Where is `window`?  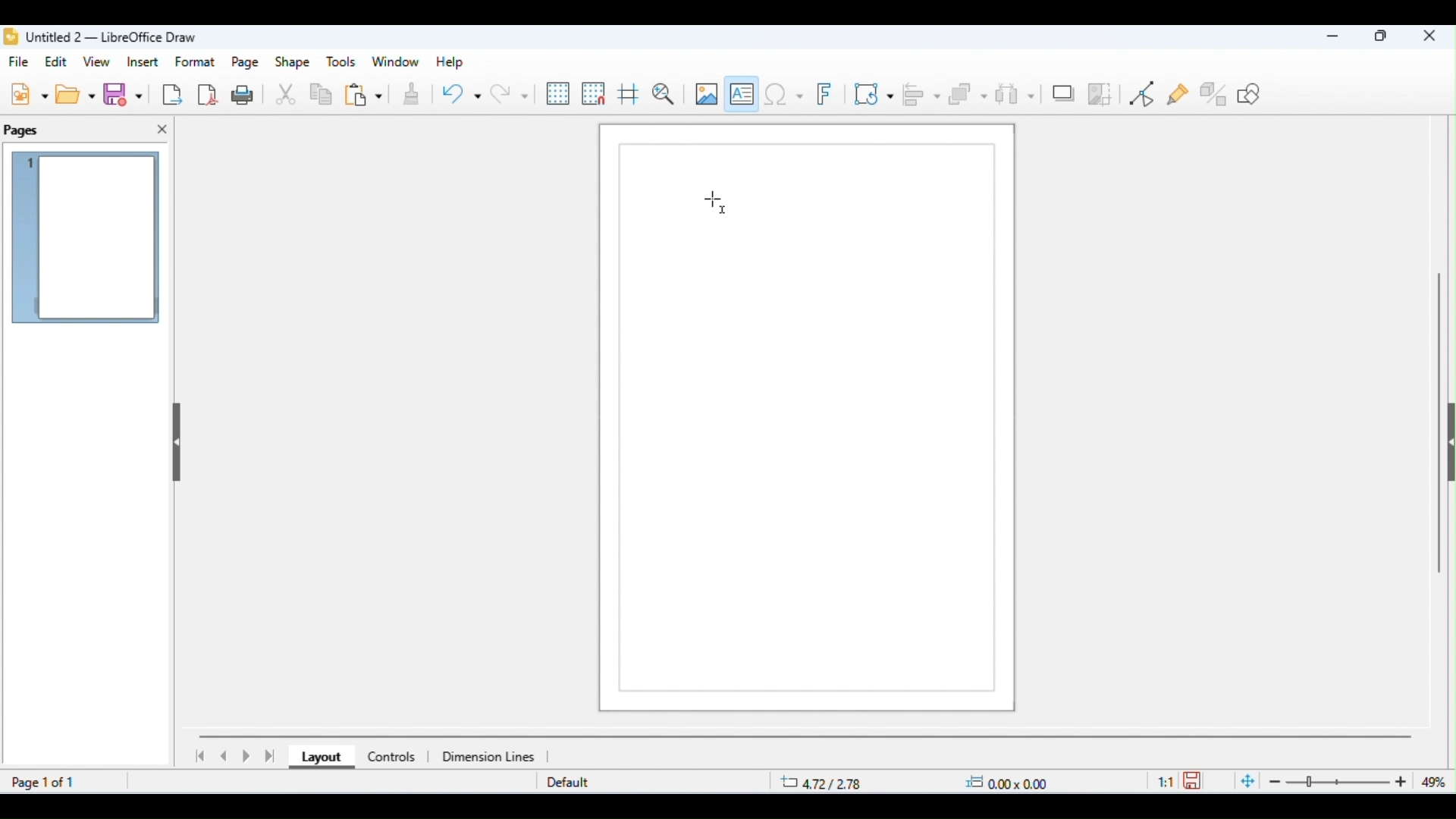
window is located at coordinates (396, 62).